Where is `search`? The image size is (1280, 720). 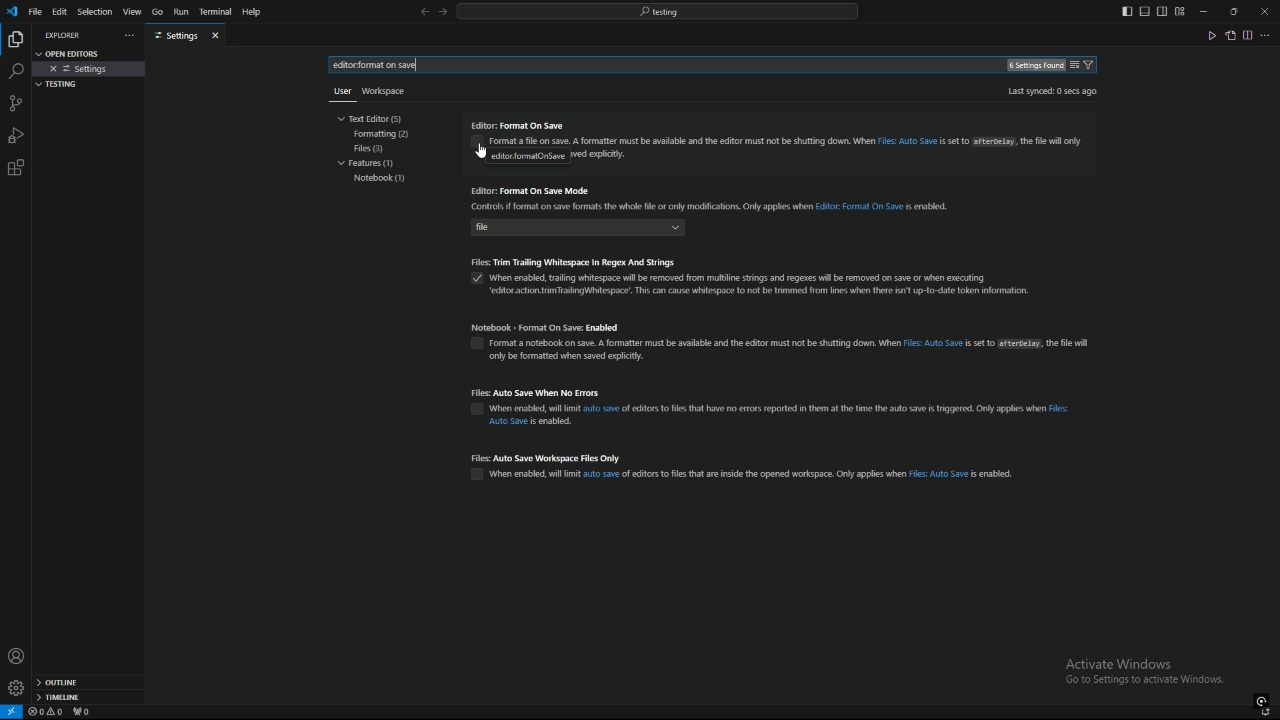 search is located at coordinates (377, 65).